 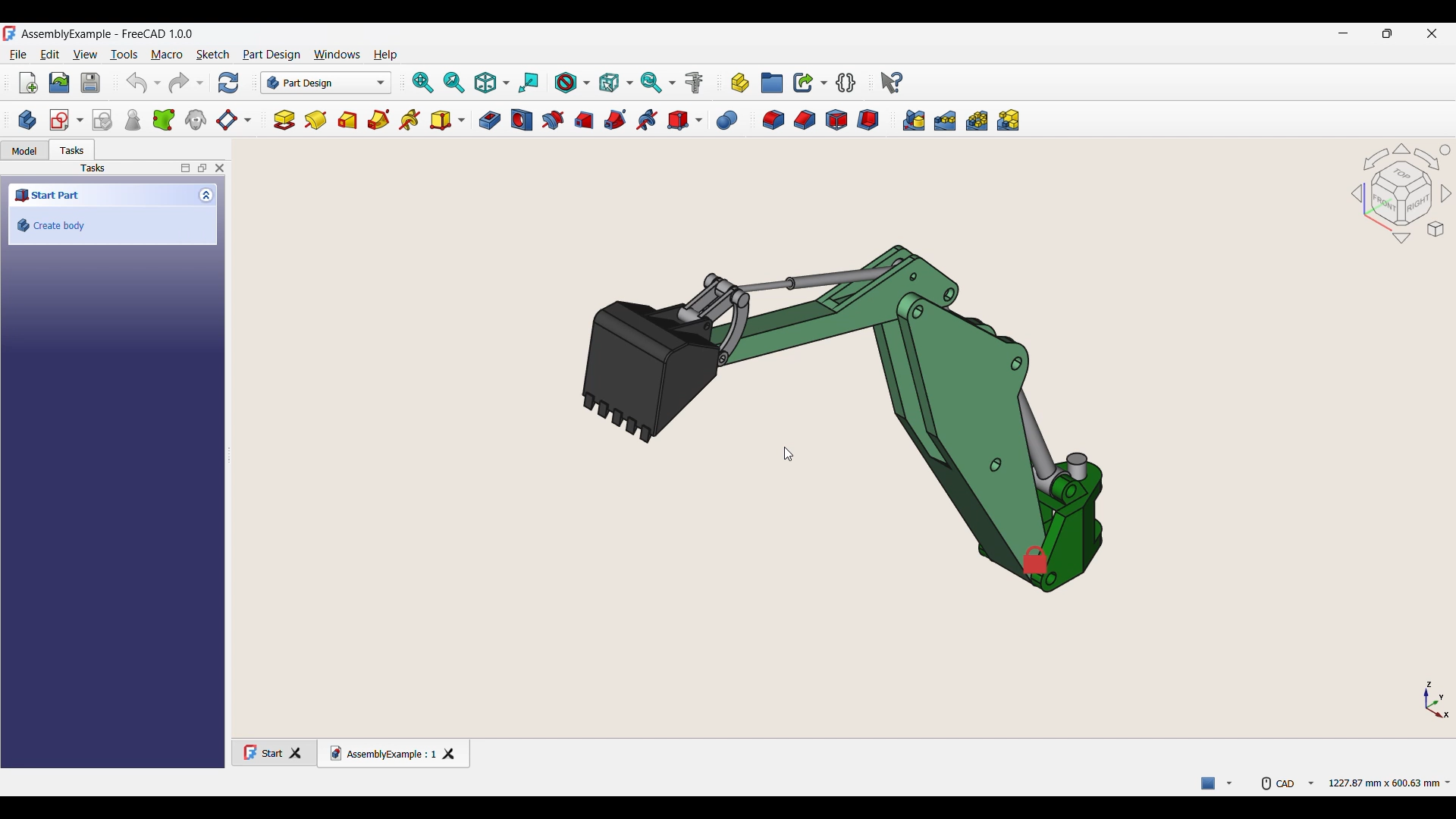 I want to click on Canvas dimension options, so click(x=1389, y=782).